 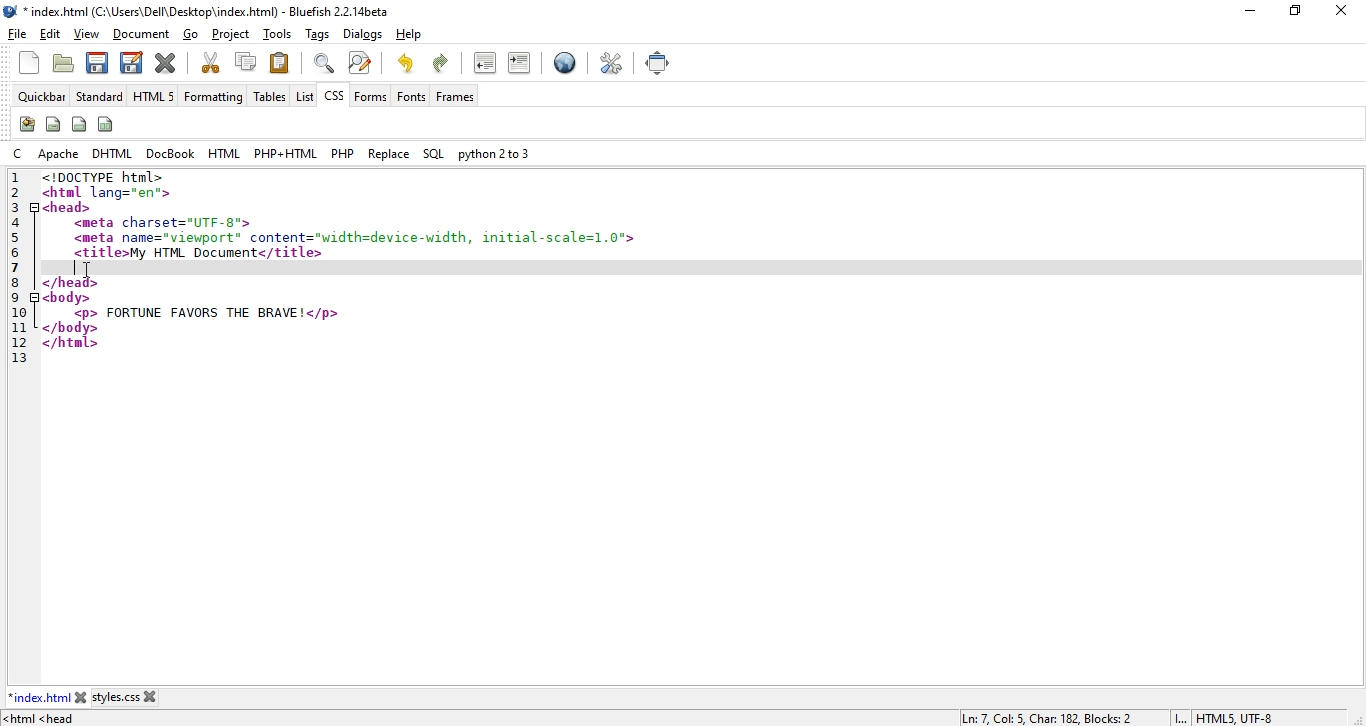 I want to click on 11, so click(x=18, y=326).